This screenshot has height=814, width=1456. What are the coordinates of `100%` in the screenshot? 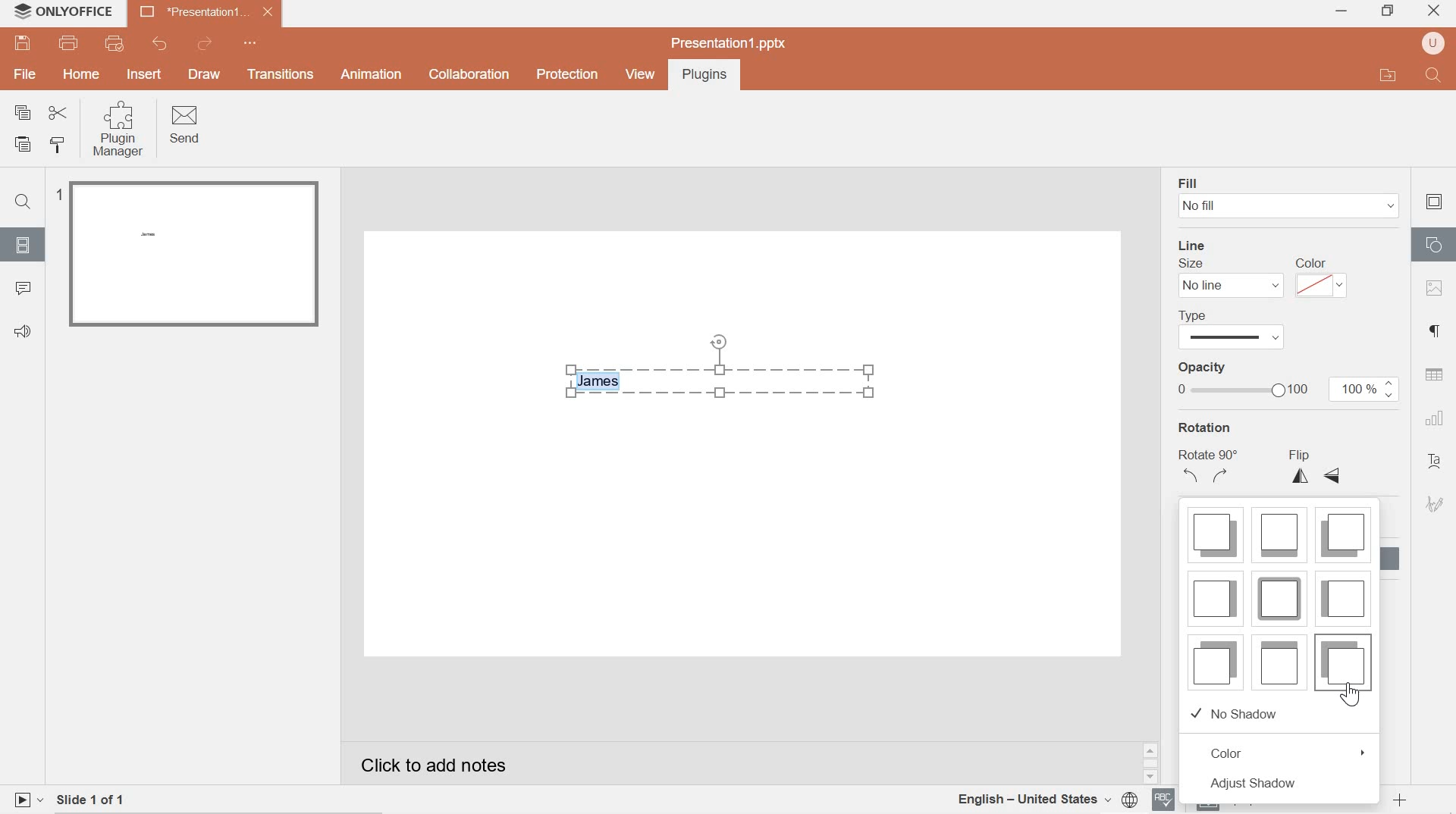 It's located at (1363, 390).